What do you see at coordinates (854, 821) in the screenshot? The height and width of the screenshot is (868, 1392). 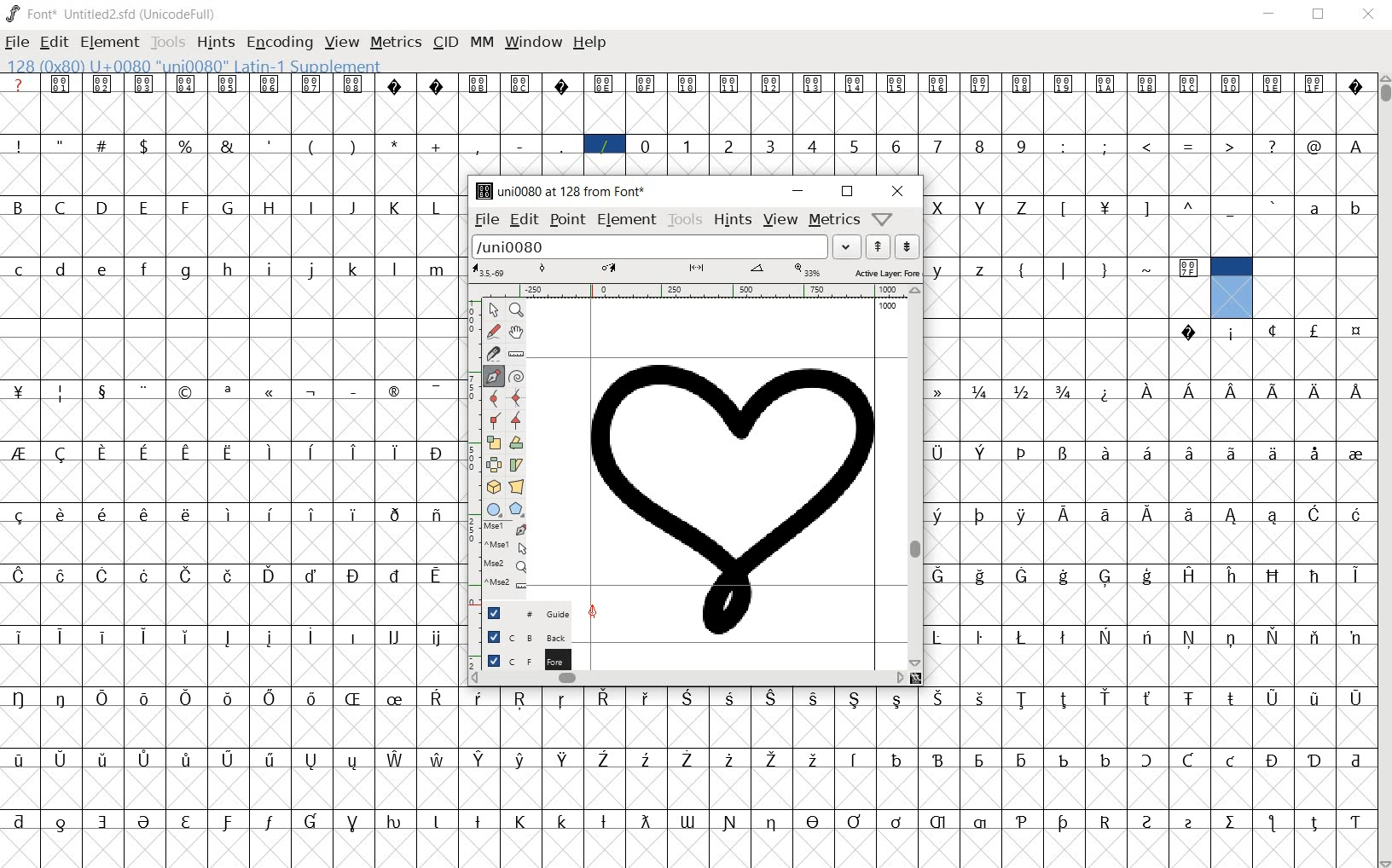 I see `glyph` at bounding box center [854, 821].